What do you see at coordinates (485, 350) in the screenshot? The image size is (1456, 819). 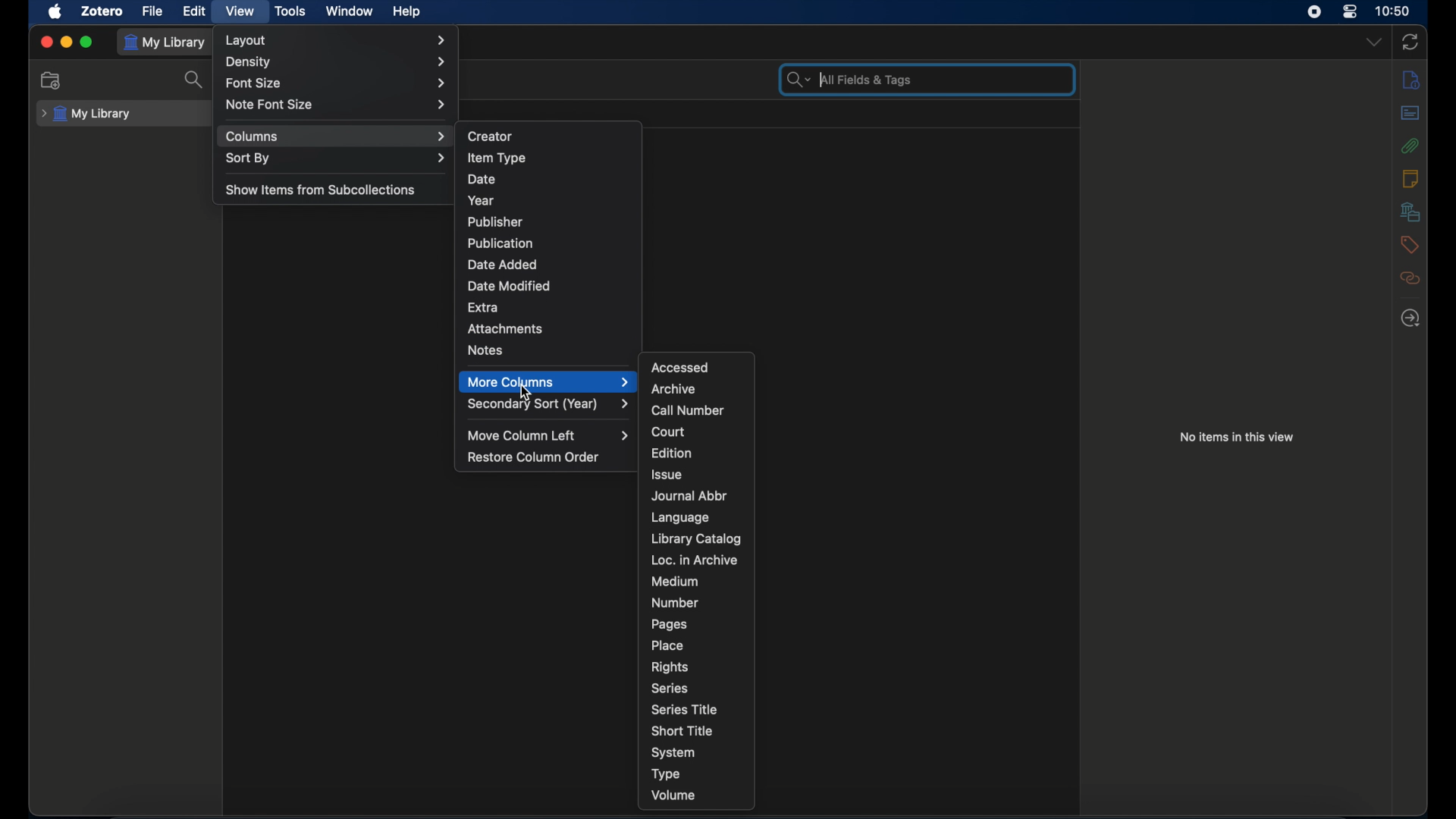 I see `notes` at bounding box center [485, 350].